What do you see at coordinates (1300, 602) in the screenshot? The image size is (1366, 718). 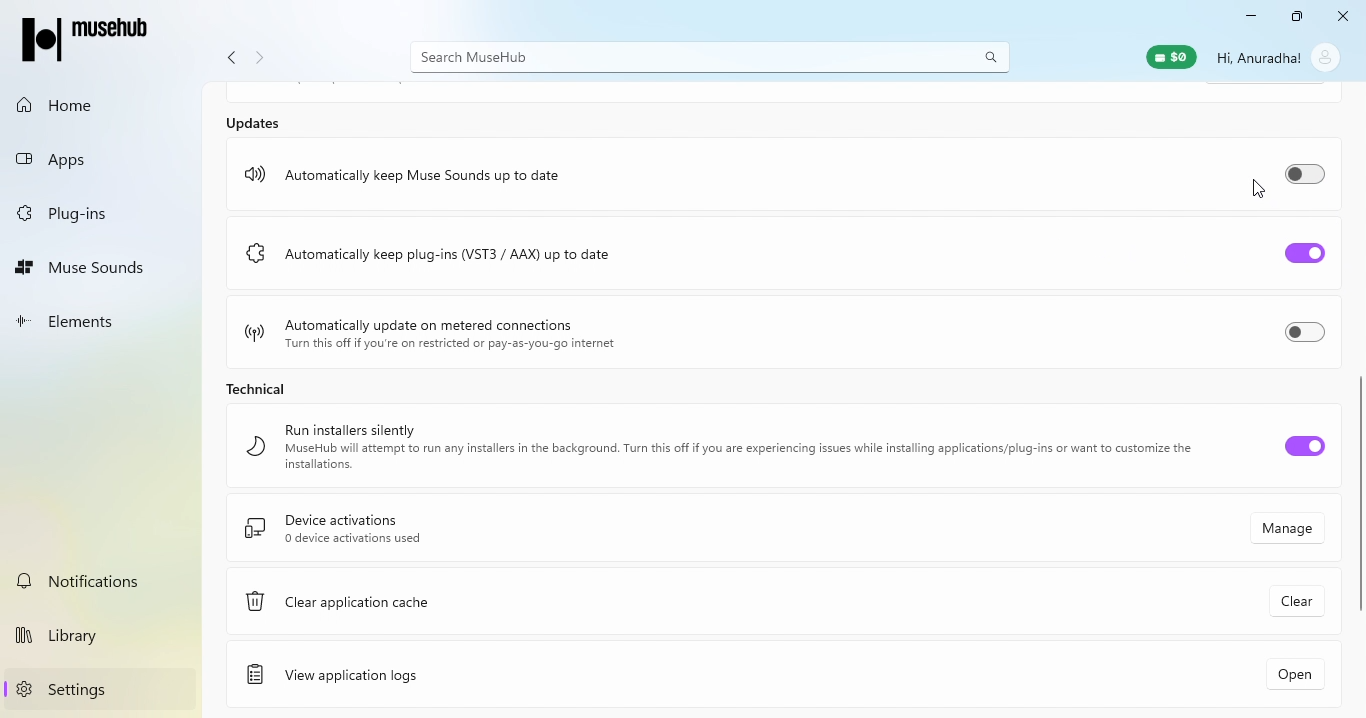 I see `Clear` at bounding box center [1300, 602].